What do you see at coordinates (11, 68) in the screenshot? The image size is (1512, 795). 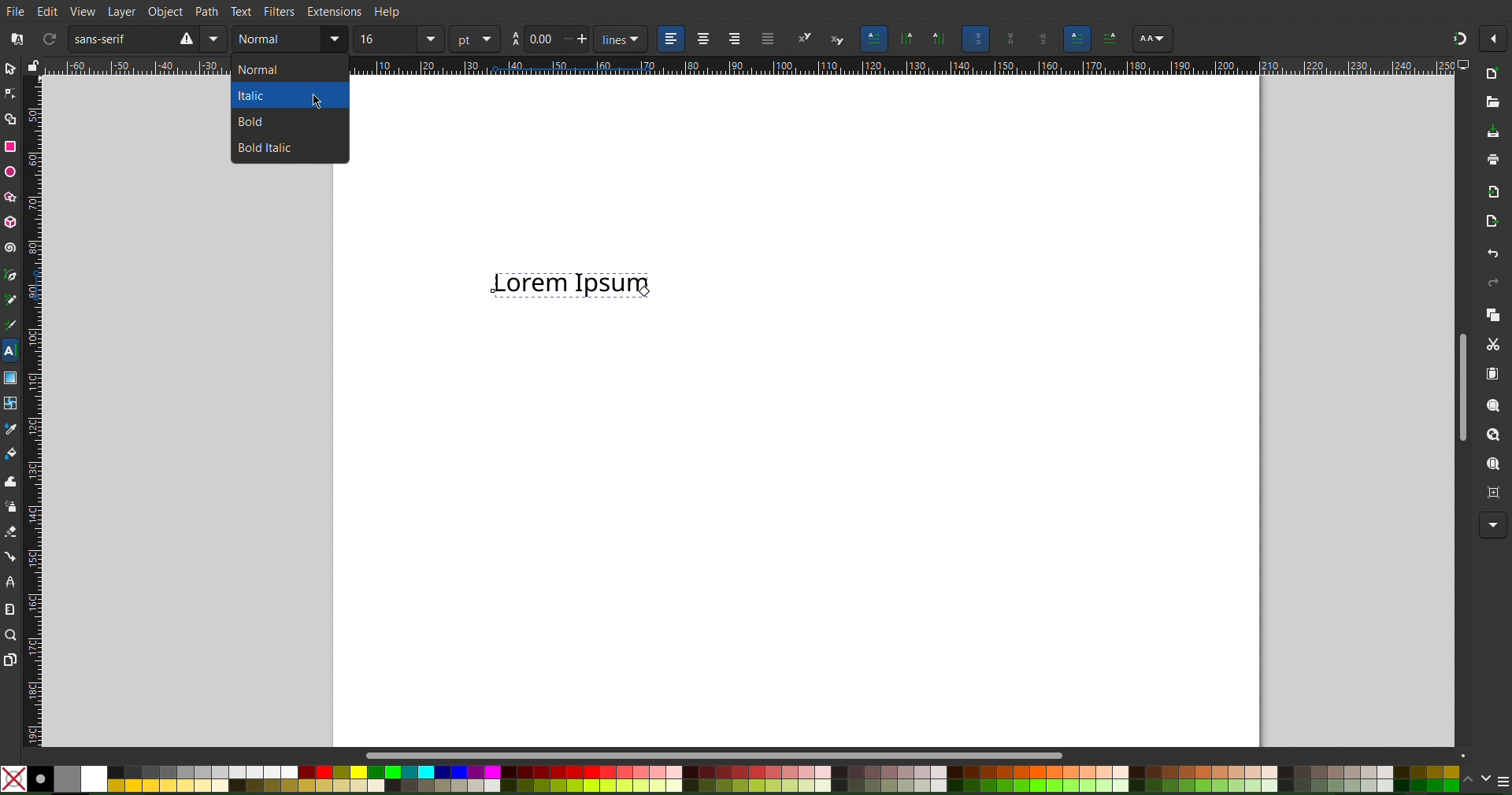 I see `Select` at bounding box center [11, 68].